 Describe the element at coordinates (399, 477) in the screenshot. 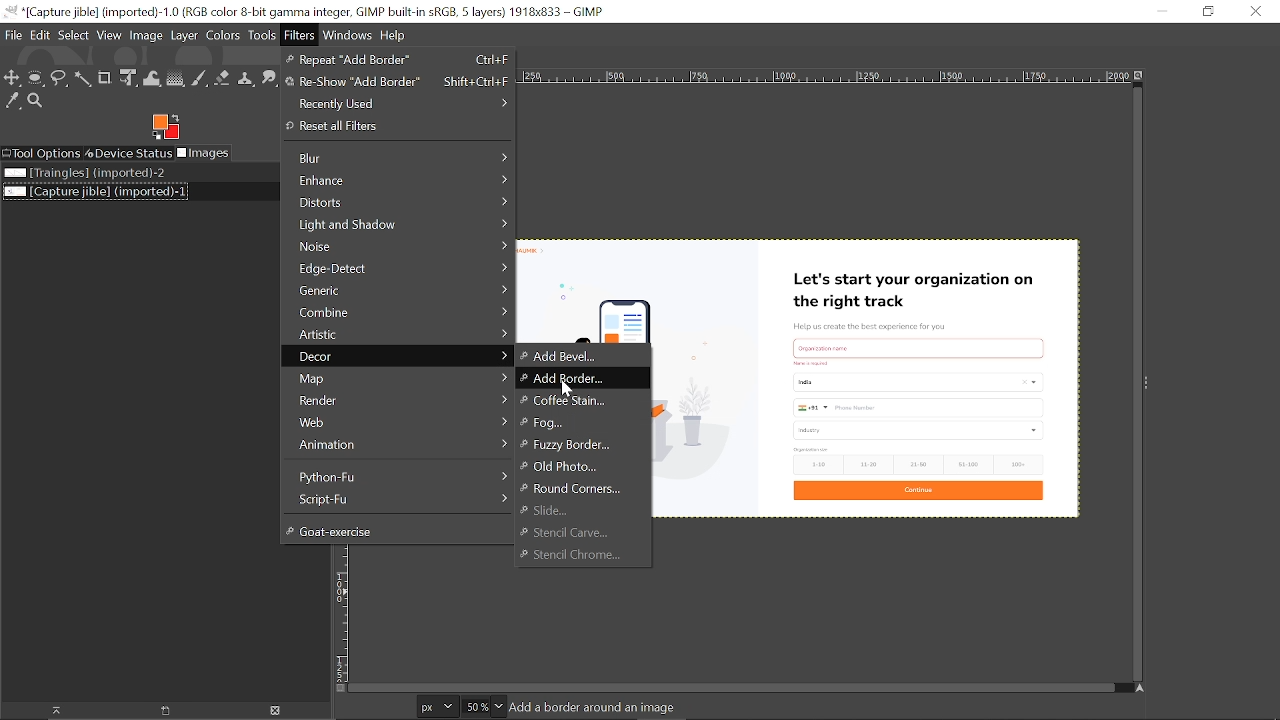

I see `Python-Fu` at that location.